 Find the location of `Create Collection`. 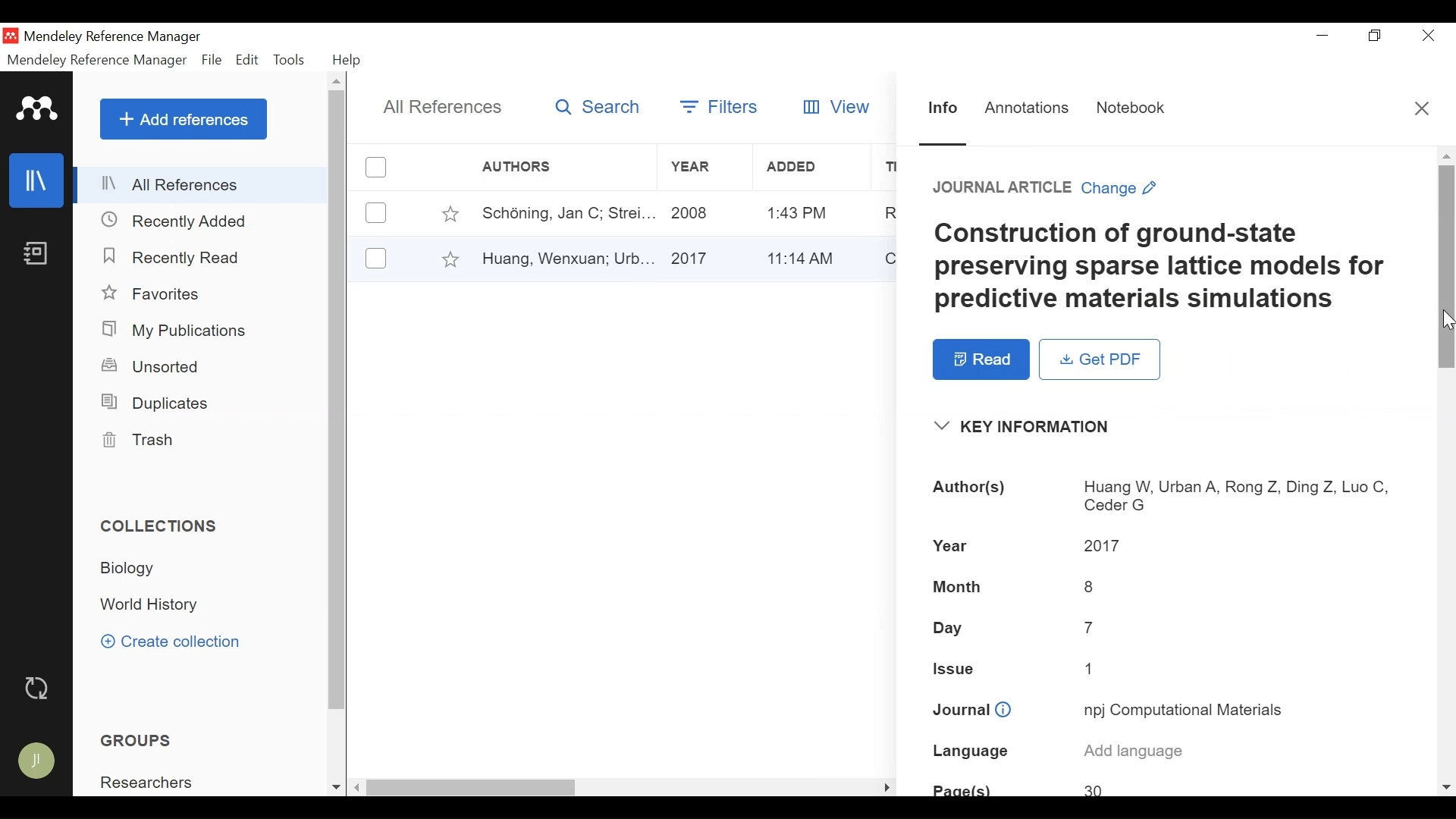

Create Collection is located at coordinates (171, 641).